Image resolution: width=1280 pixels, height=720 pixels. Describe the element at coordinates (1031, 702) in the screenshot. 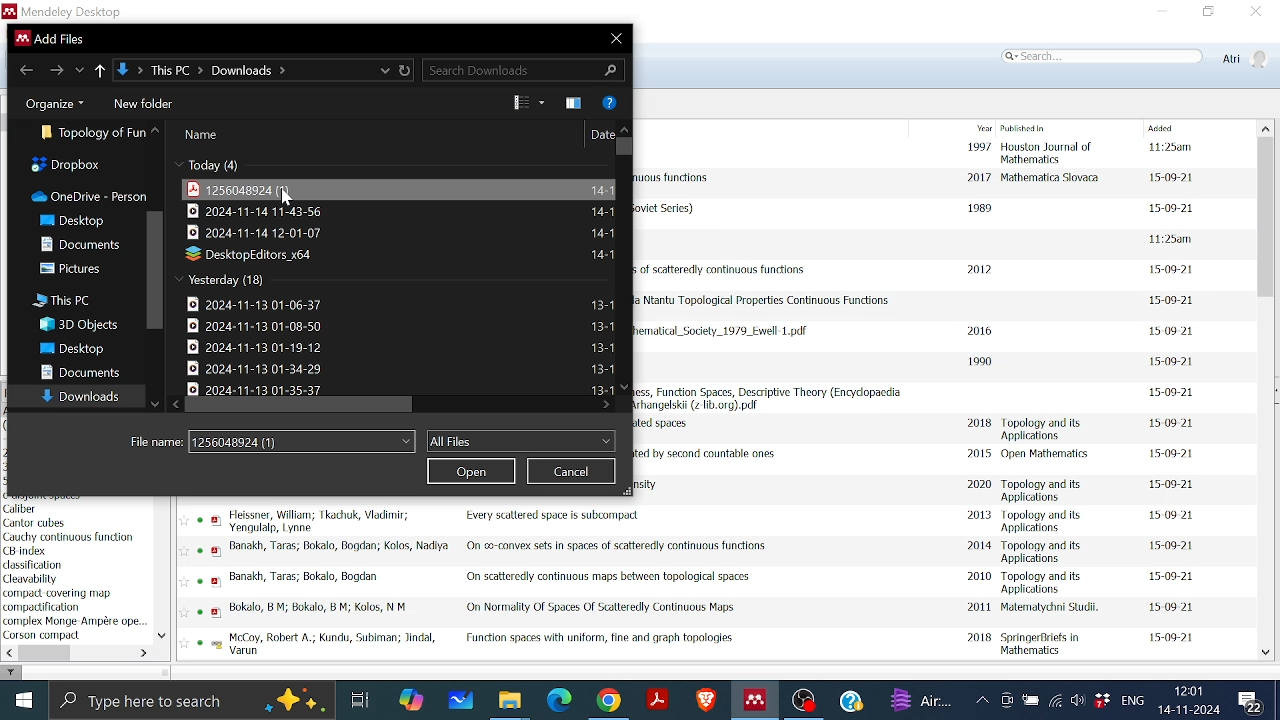

I see `Battery` at that location.